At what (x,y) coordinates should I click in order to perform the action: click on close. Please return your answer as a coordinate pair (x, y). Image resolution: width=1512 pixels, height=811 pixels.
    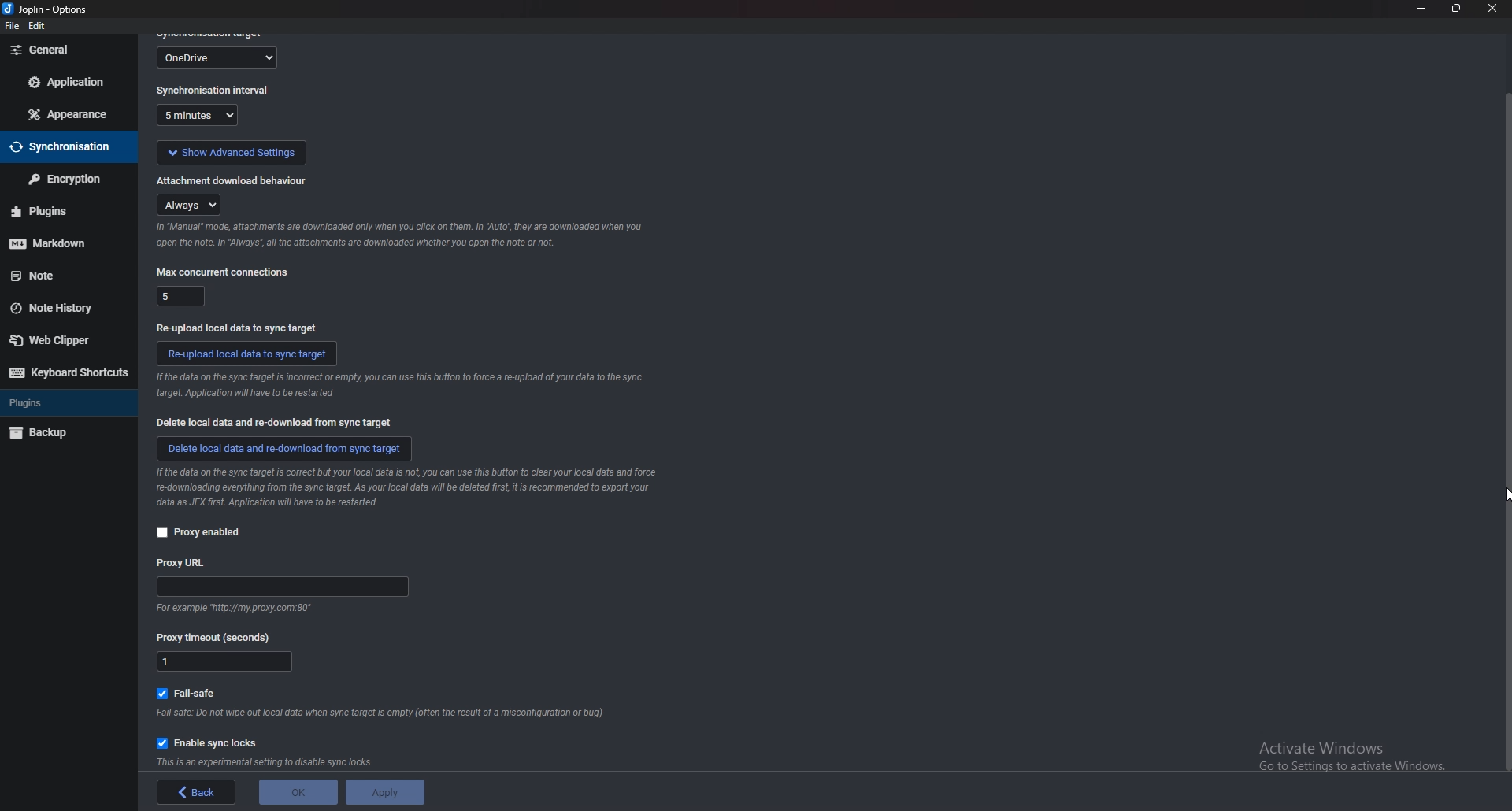
    Looking at the image, I should click on (1491, 9).